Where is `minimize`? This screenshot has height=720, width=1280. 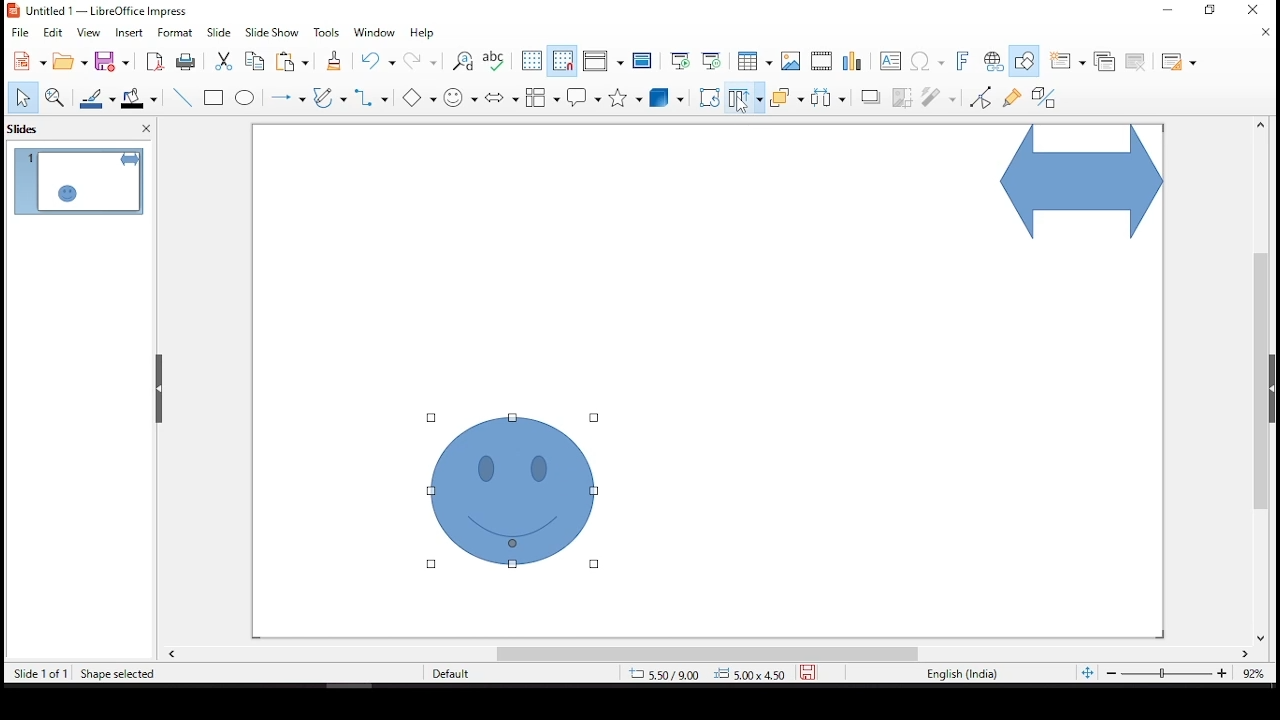 minimize is located at coordinates (1169, 8).